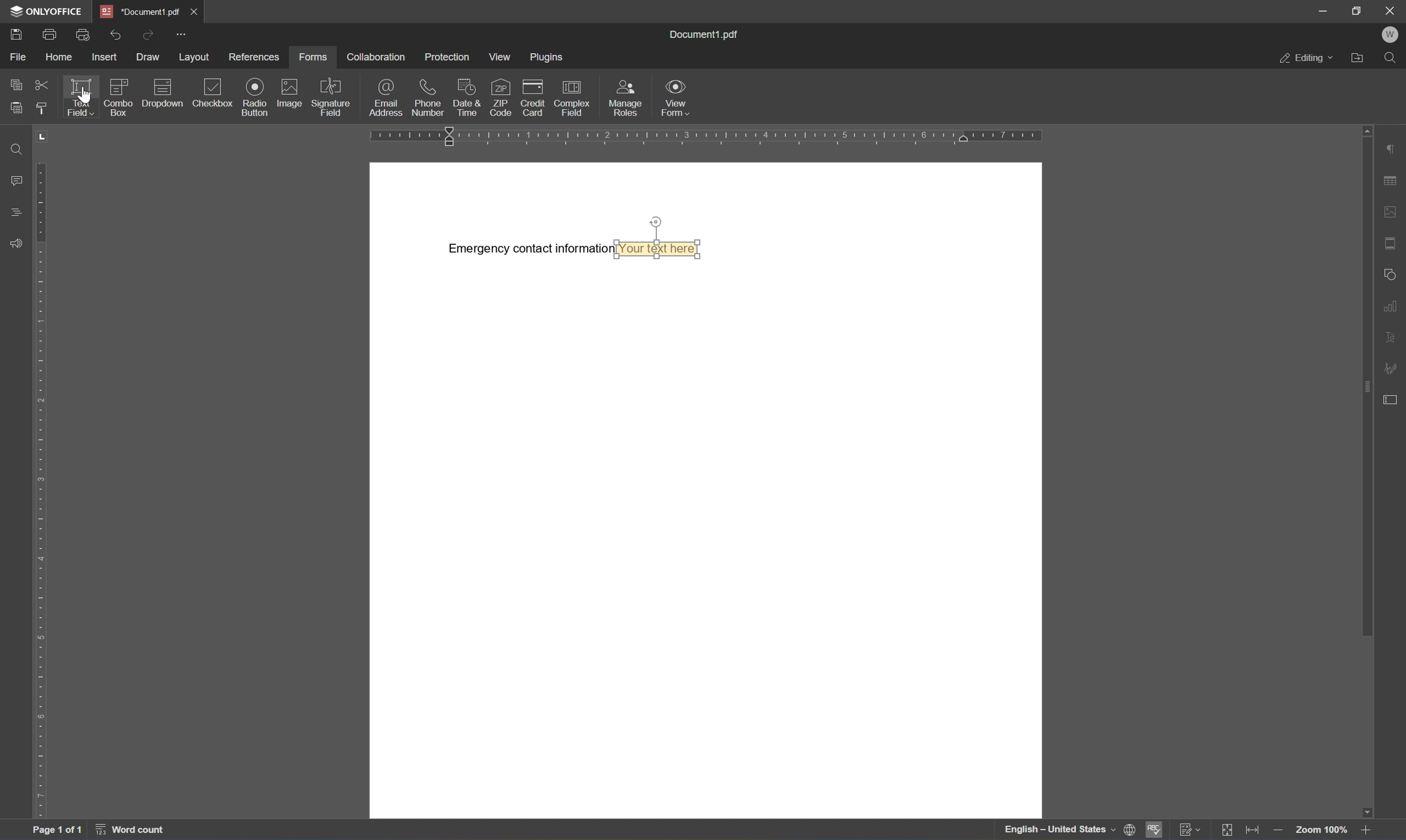 The height and width of the screenshot is (840, 1406). I want to click on document1.pdf, so click(704, 34).